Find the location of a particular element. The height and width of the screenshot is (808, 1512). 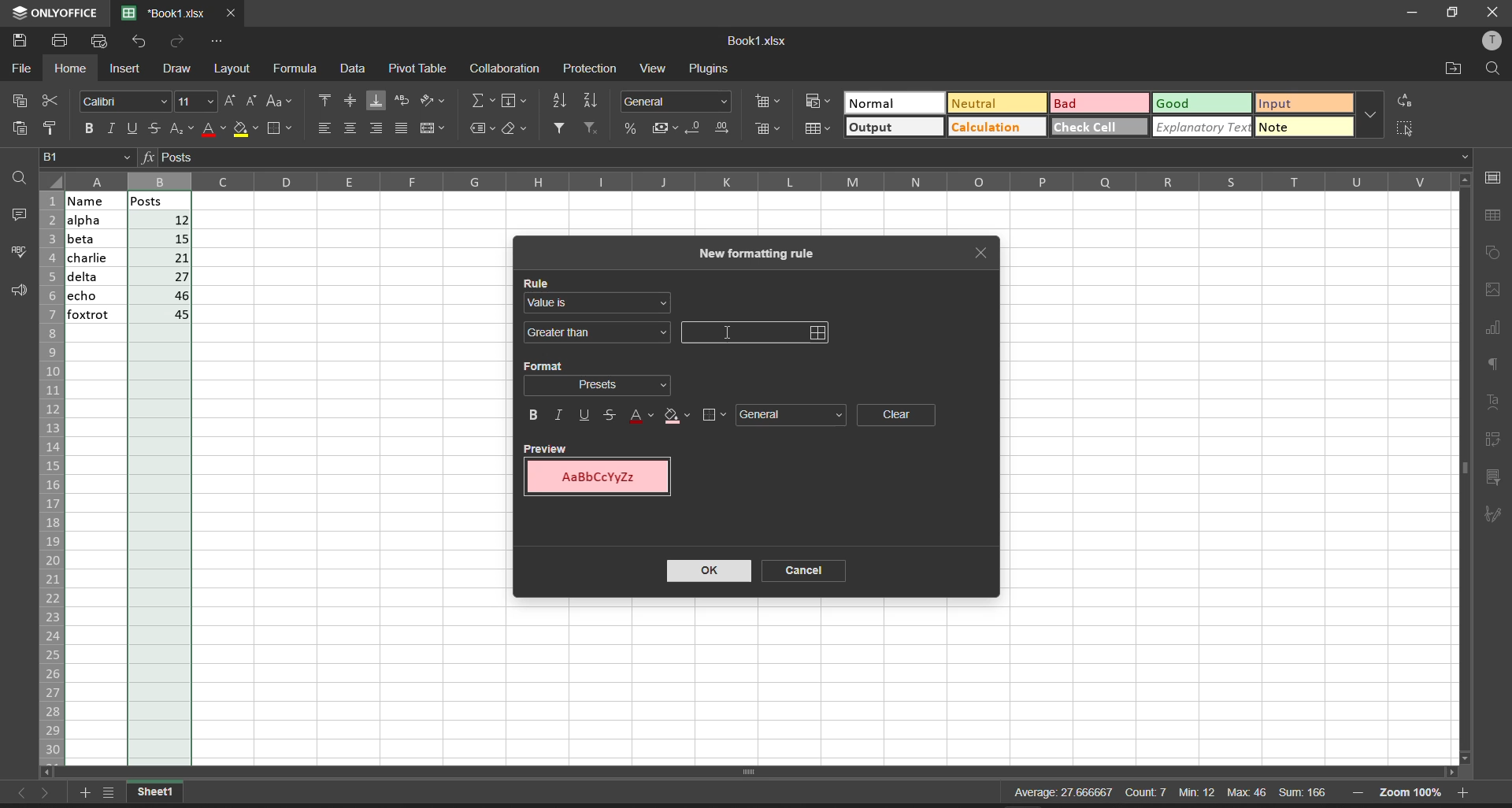

'Book1.xlsx is located at coordinates (161, 13).